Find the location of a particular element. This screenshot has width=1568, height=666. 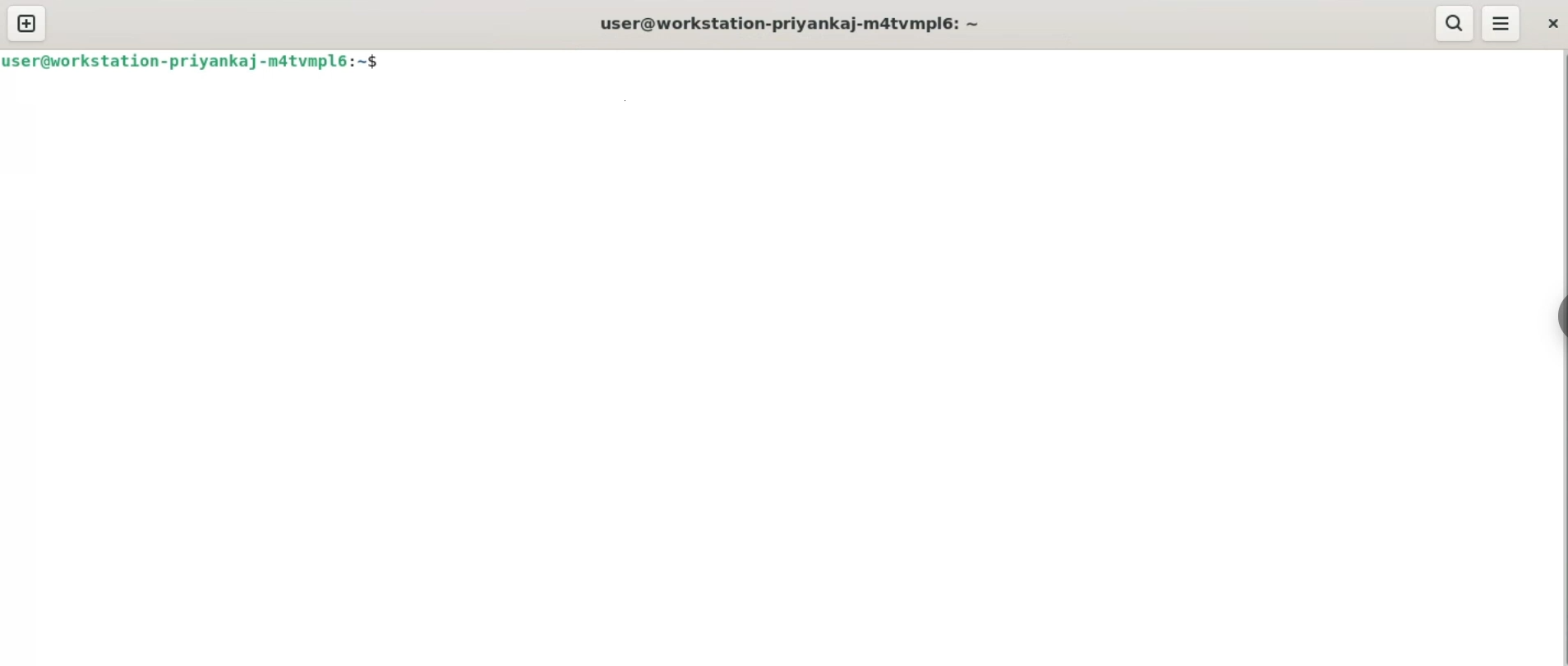

search is located at coordinates (1453, 25).